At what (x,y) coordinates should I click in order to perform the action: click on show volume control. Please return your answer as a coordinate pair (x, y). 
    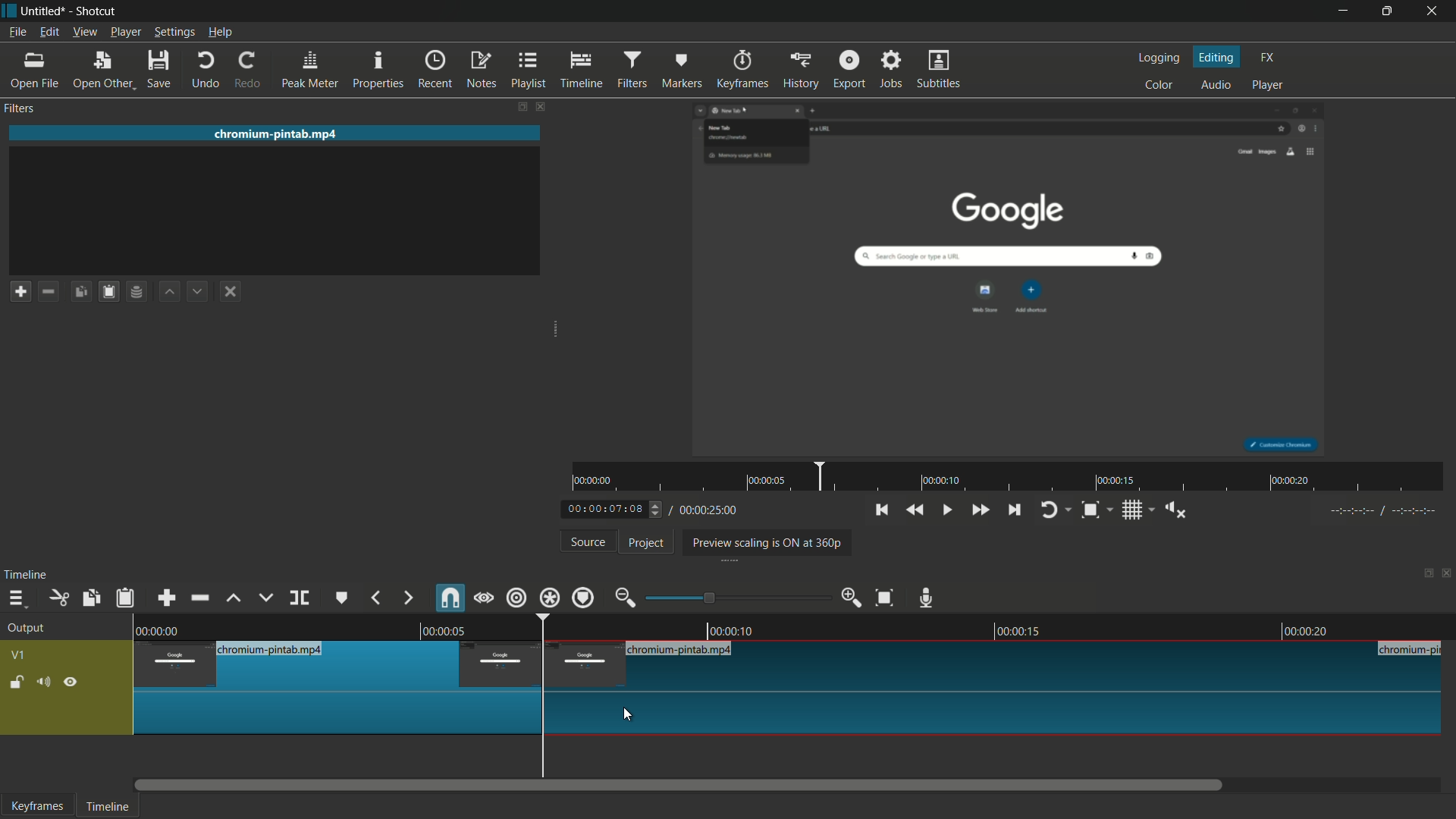
    Looking at the image, I should click on (1181, 510).